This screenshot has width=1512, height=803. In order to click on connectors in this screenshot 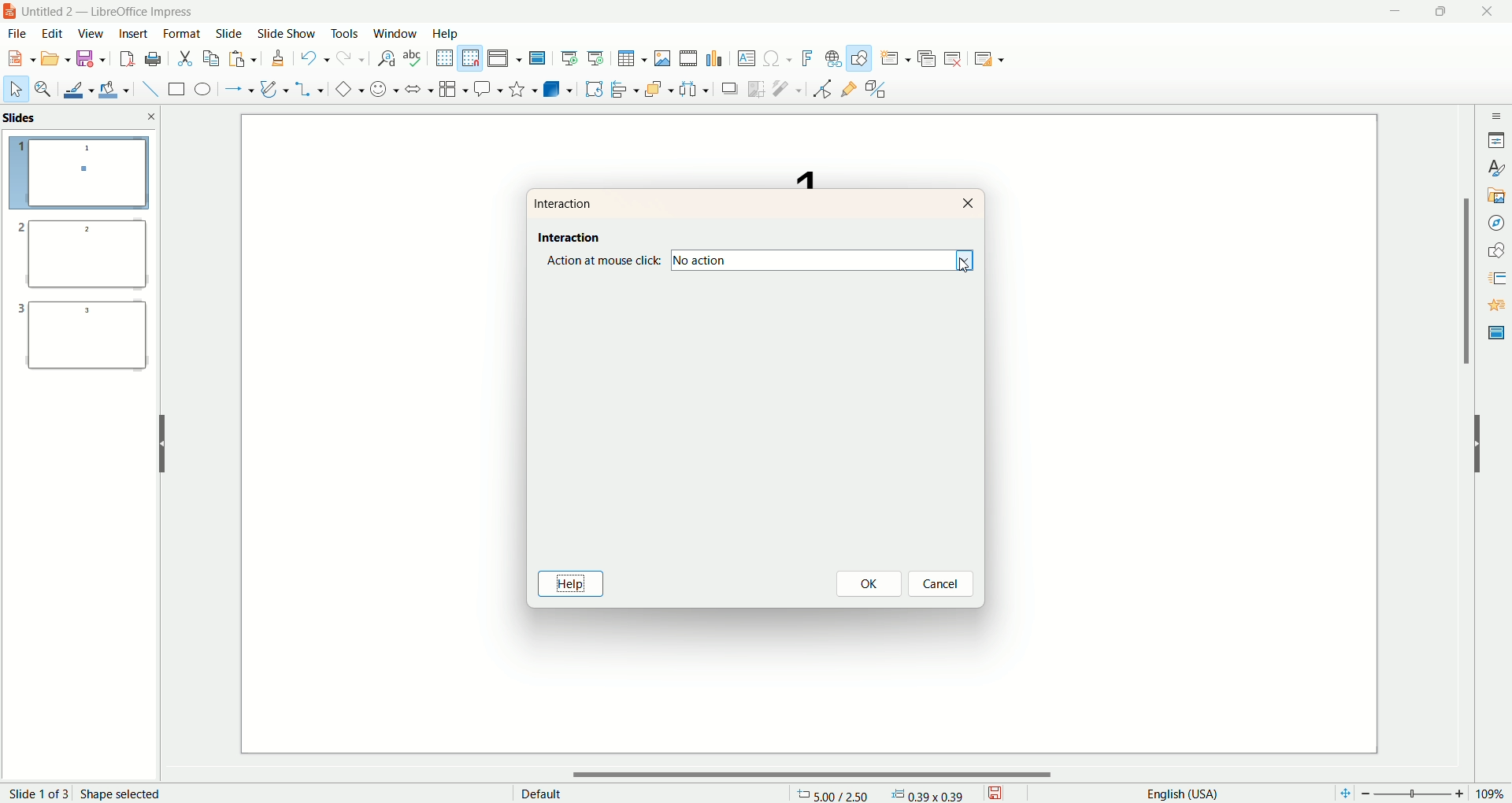, I will do `click(309, 89)`.